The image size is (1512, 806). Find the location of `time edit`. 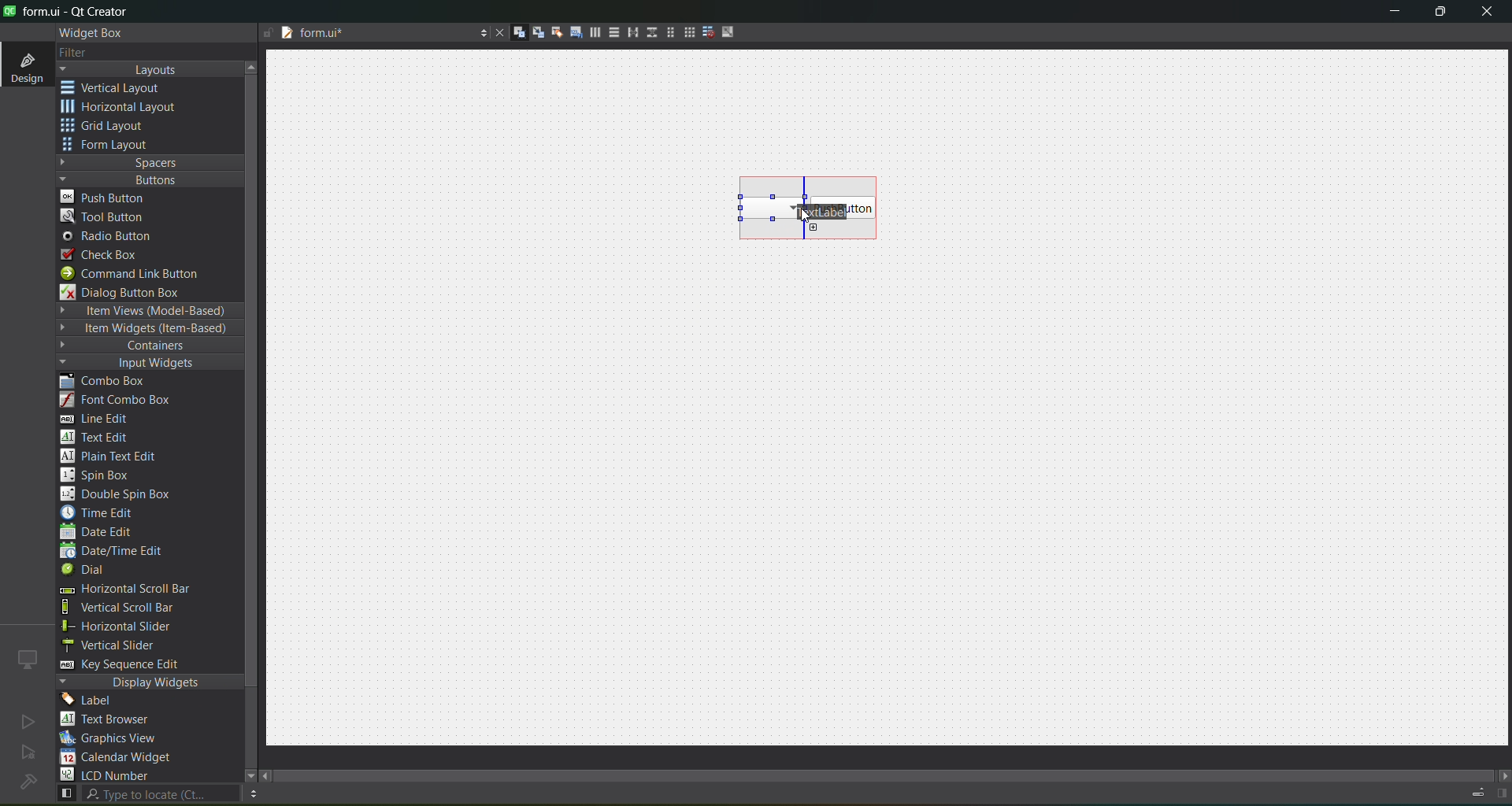

time edit is located at coordinates (102, 512).